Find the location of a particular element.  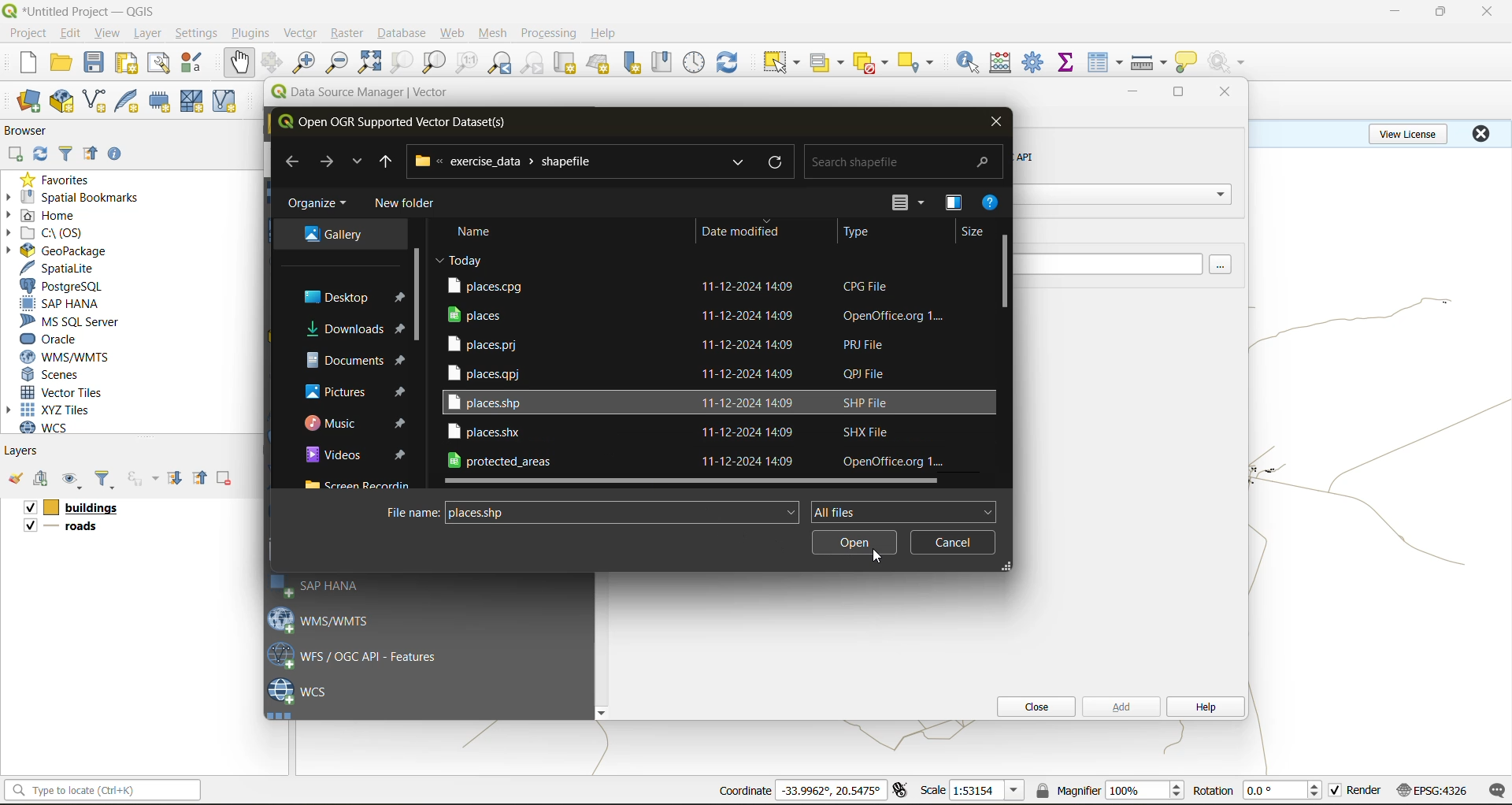

show spatial bookmark is located at coordinates (667, 61).